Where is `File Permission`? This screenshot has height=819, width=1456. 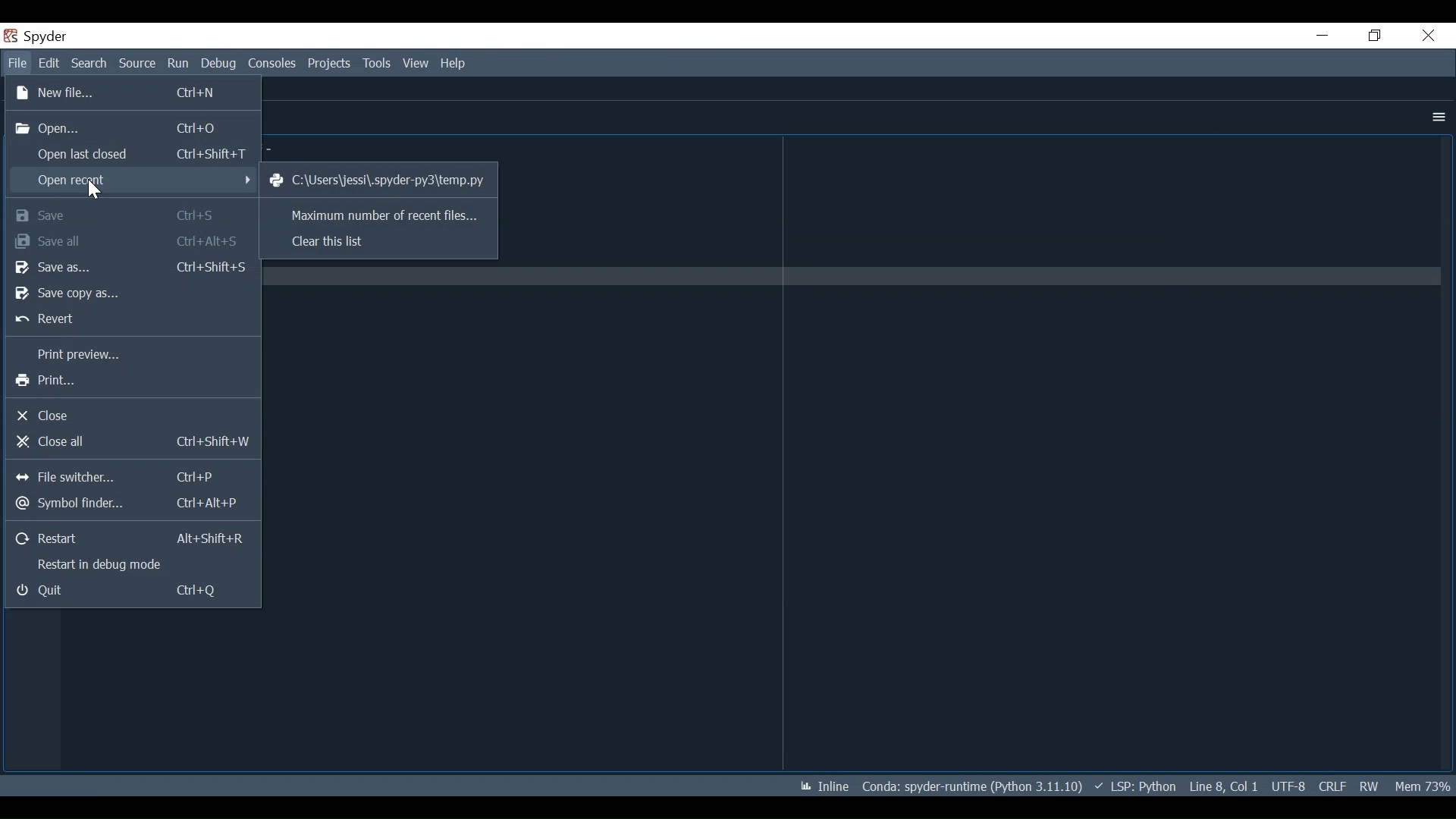 File Permission is located at coordinates (1370, 786).